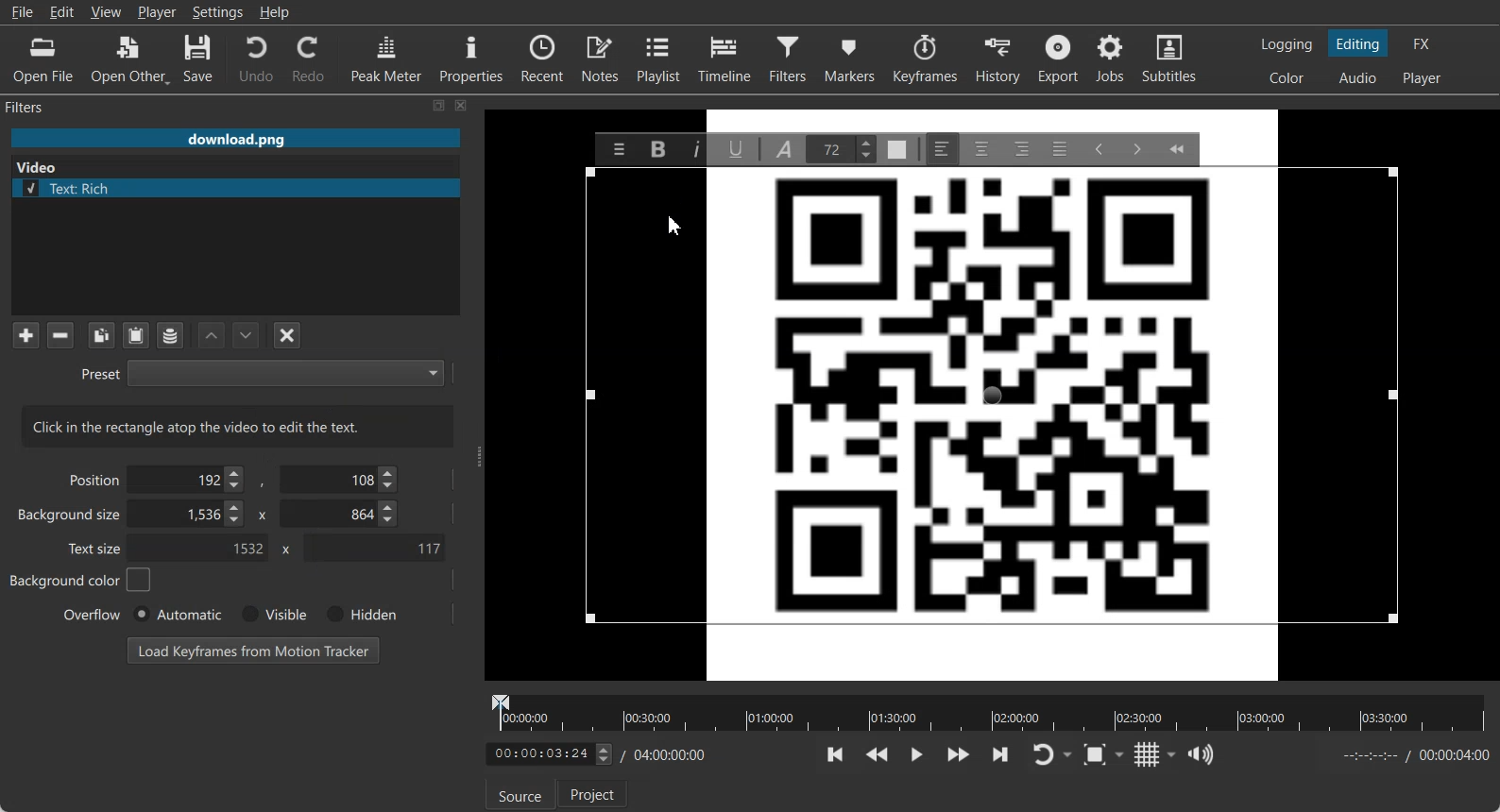  Describe the element at coordinates (1411, 755) in the screenshot. I see `End time ` at that location.